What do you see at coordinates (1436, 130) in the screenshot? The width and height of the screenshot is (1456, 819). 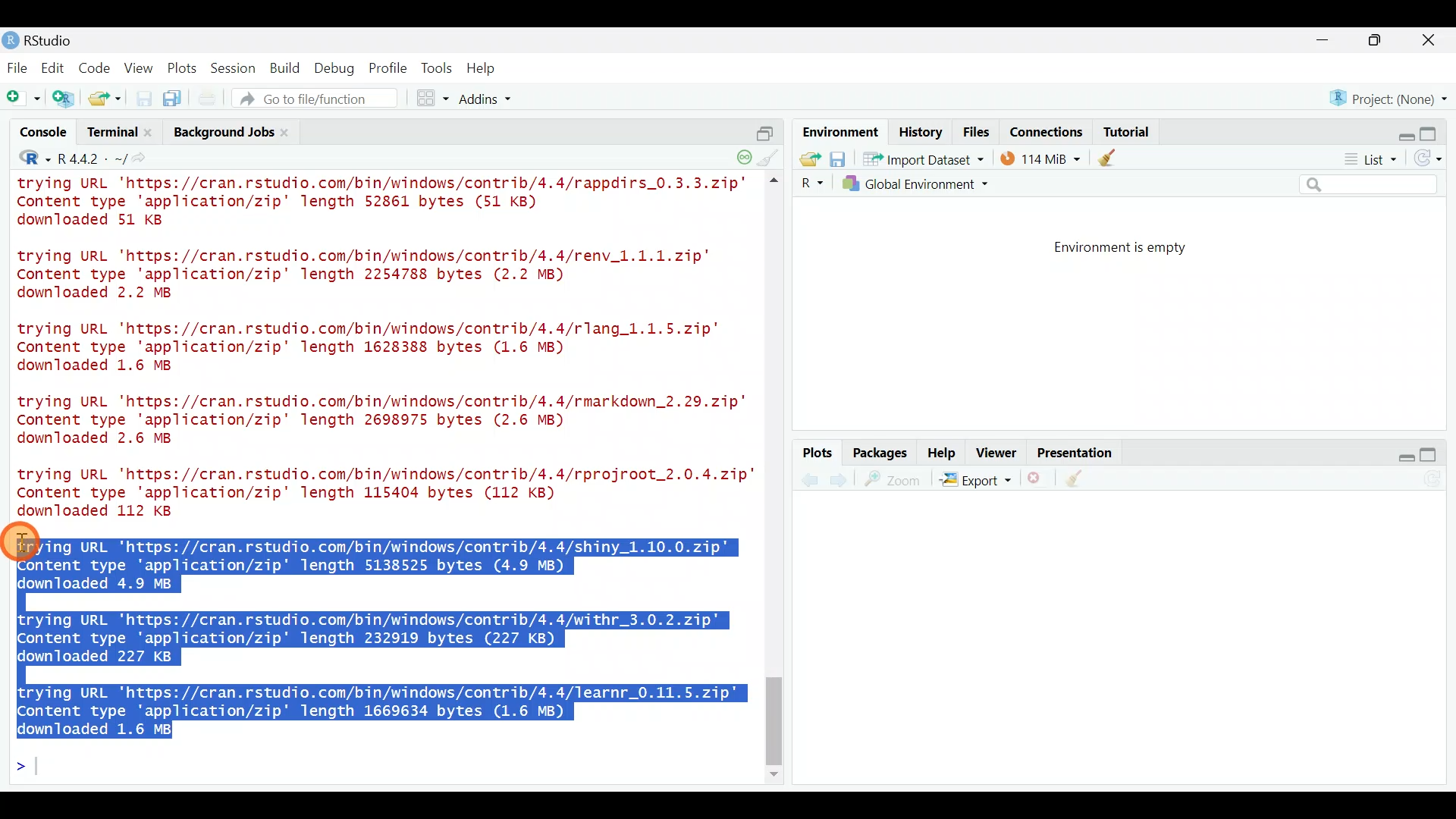 I see `Maximize` at bounding box center [1436, 130].